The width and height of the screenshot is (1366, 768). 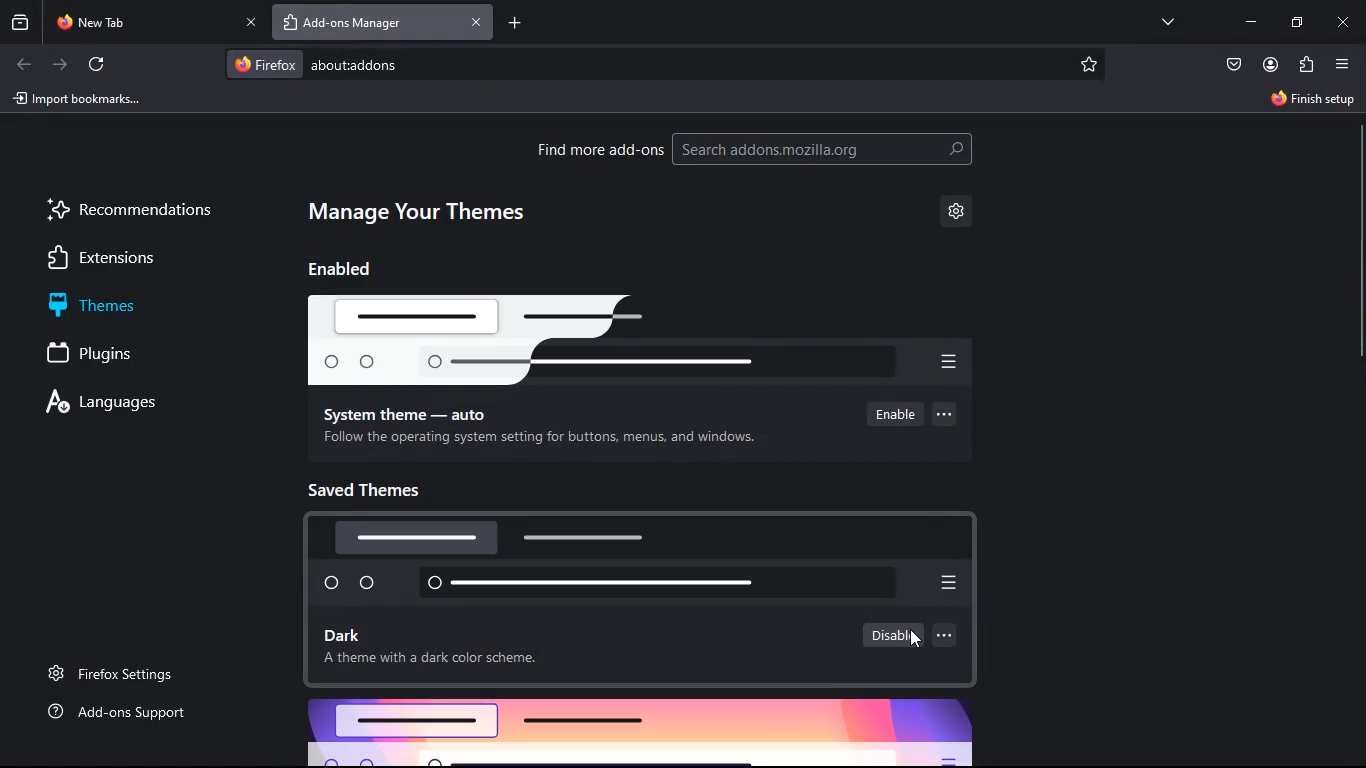 What do you see at coordinates (128, 400) in the screenshot?
I see `languages` at bounding box center [128, 400].